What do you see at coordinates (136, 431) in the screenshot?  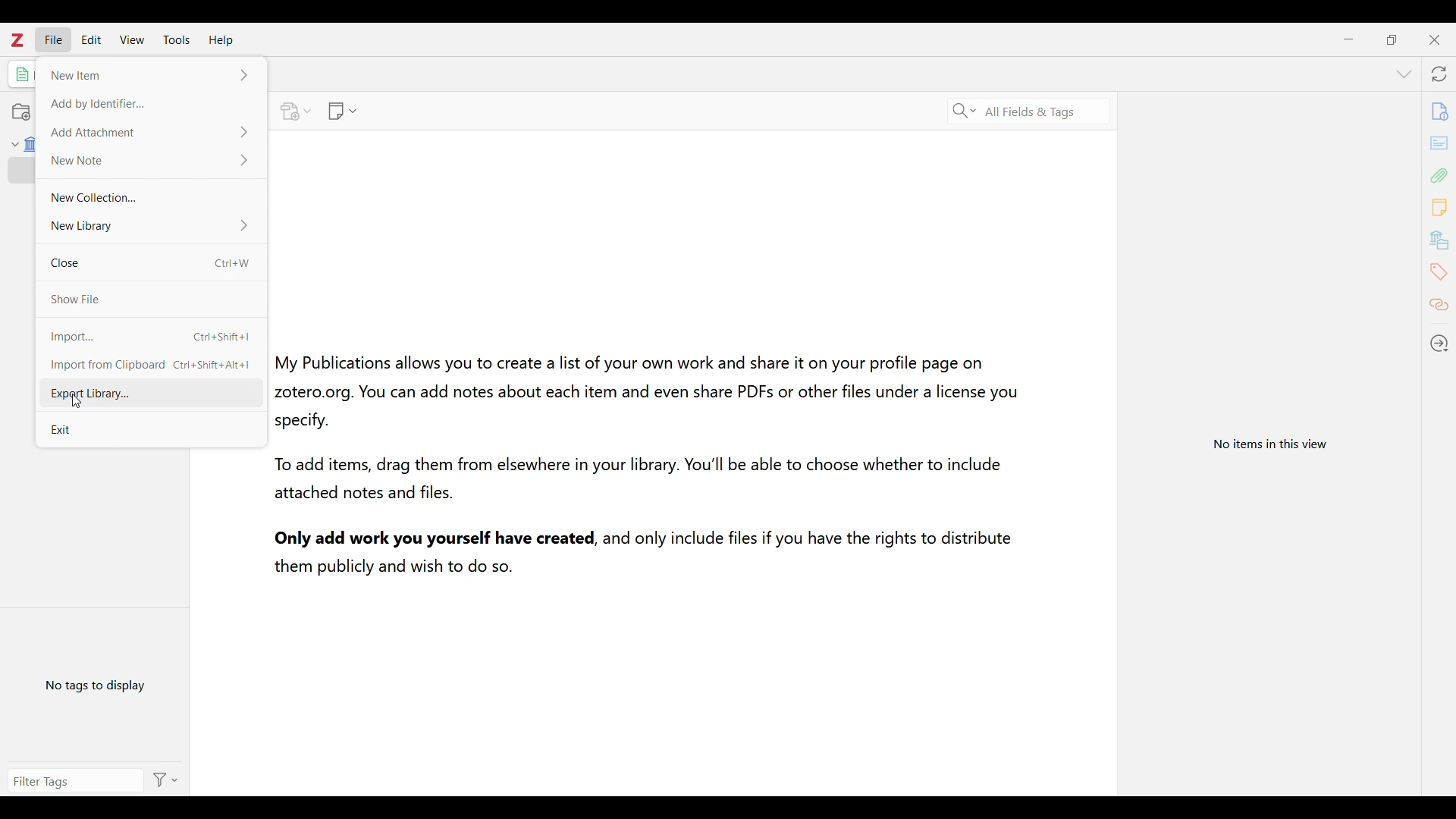 I see `Exit` at bounding box center [136, 431].